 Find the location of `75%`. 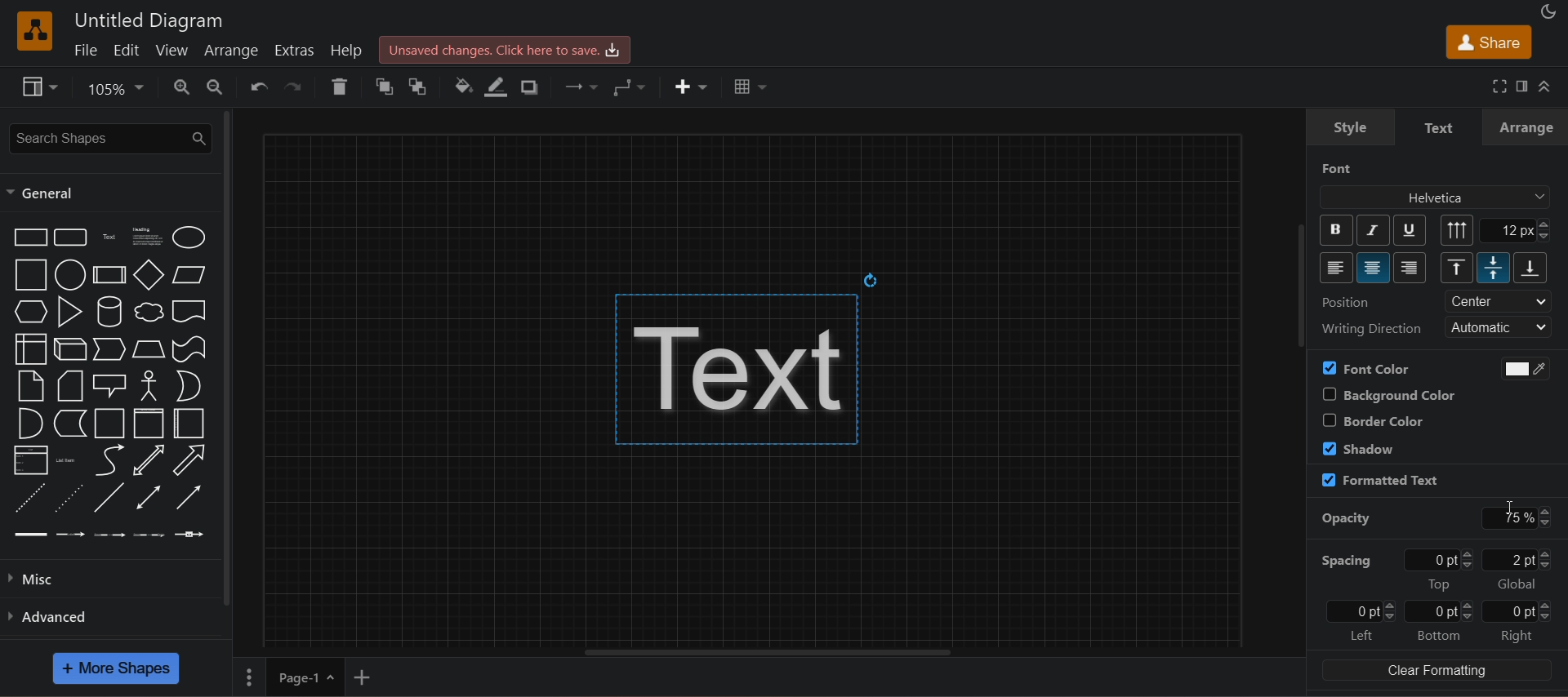

75% is located at coordinates (1517, 518).